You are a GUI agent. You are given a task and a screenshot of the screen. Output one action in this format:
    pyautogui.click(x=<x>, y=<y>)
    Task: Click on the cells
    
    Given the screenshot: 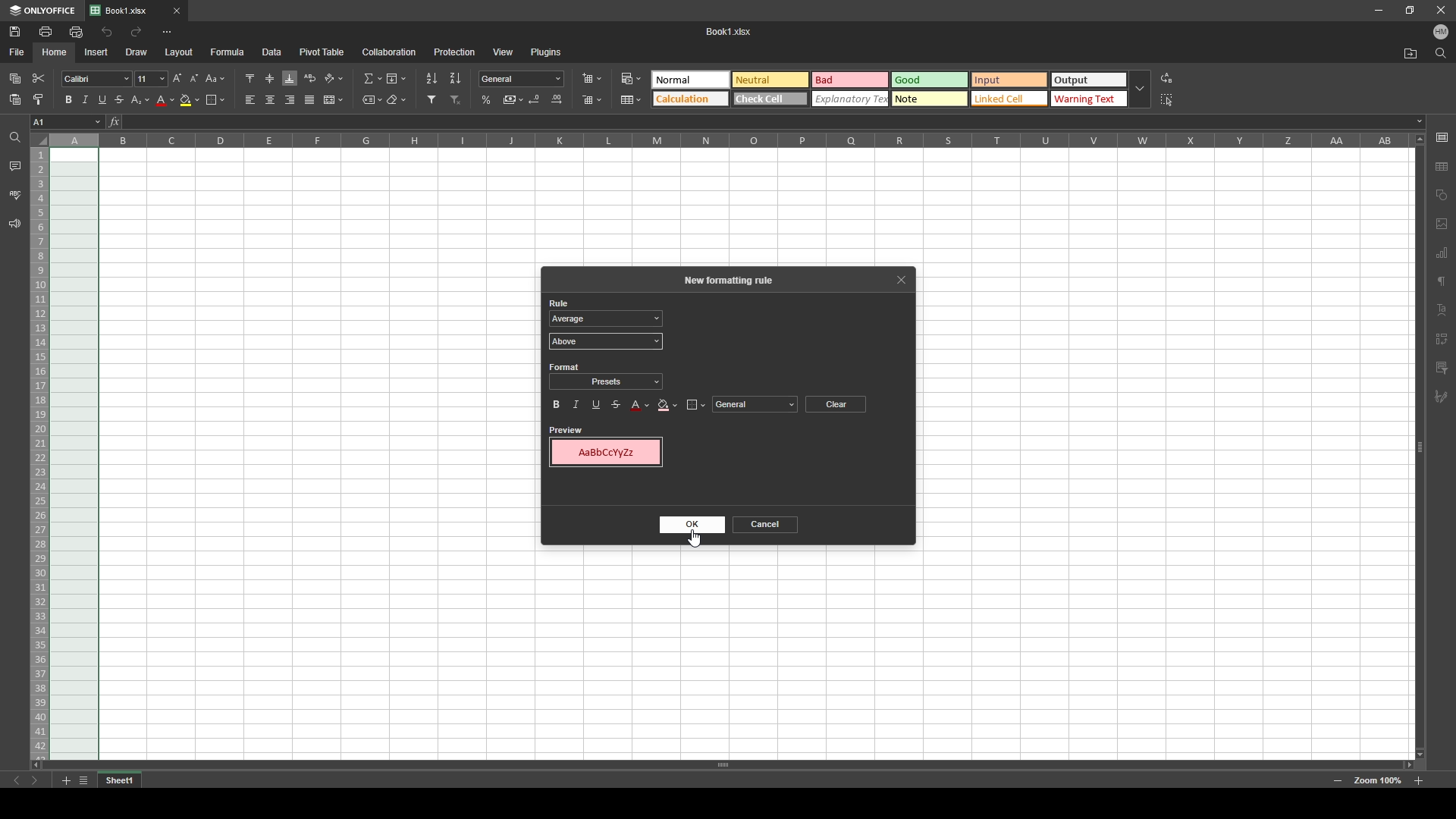 What is the action you would take?
    pyautogui.click(x=320, y=510)
    